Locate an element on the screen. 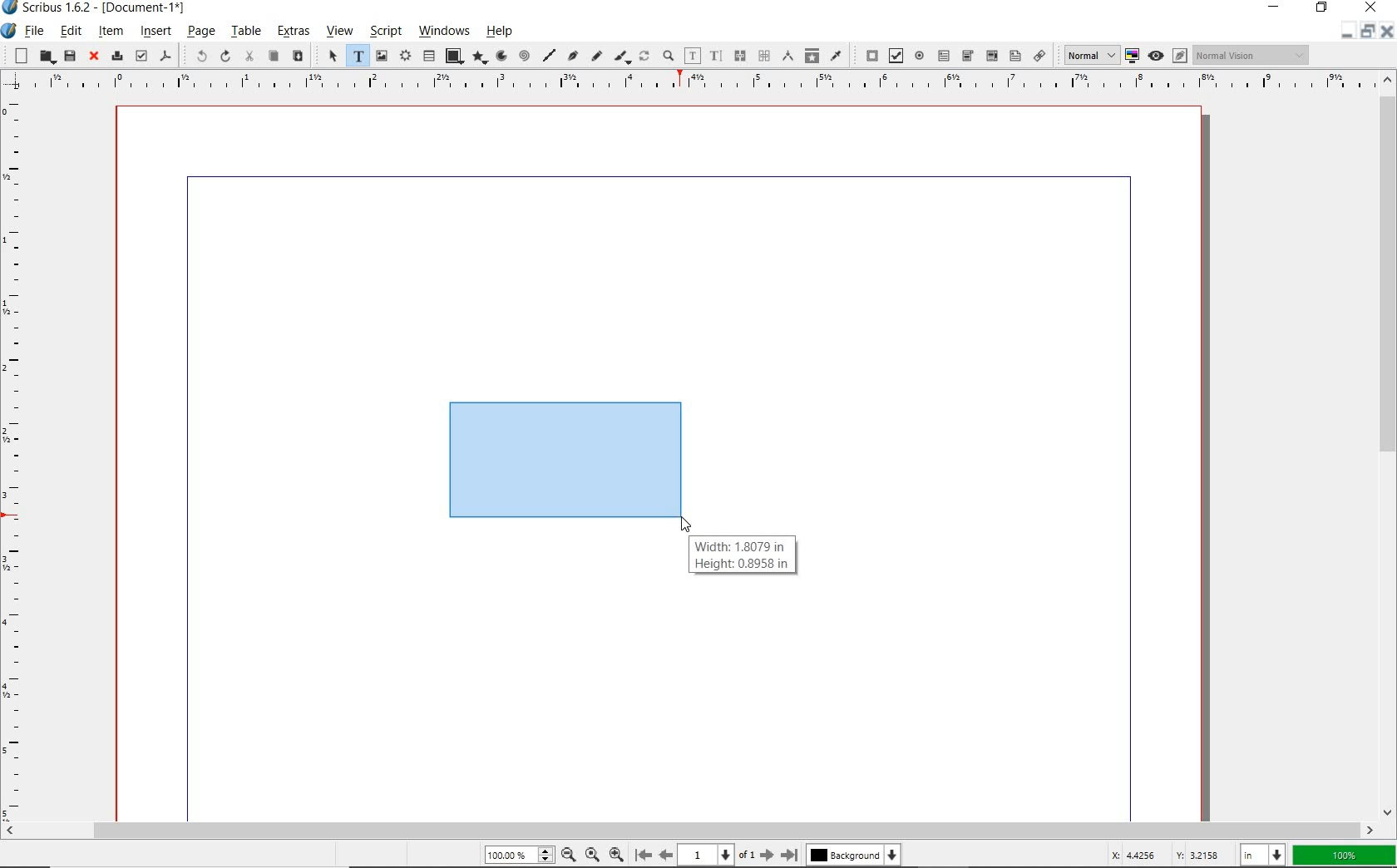 This screenshot has width=1397, height=868. select unit: in is located at coordinates (1263, 856).